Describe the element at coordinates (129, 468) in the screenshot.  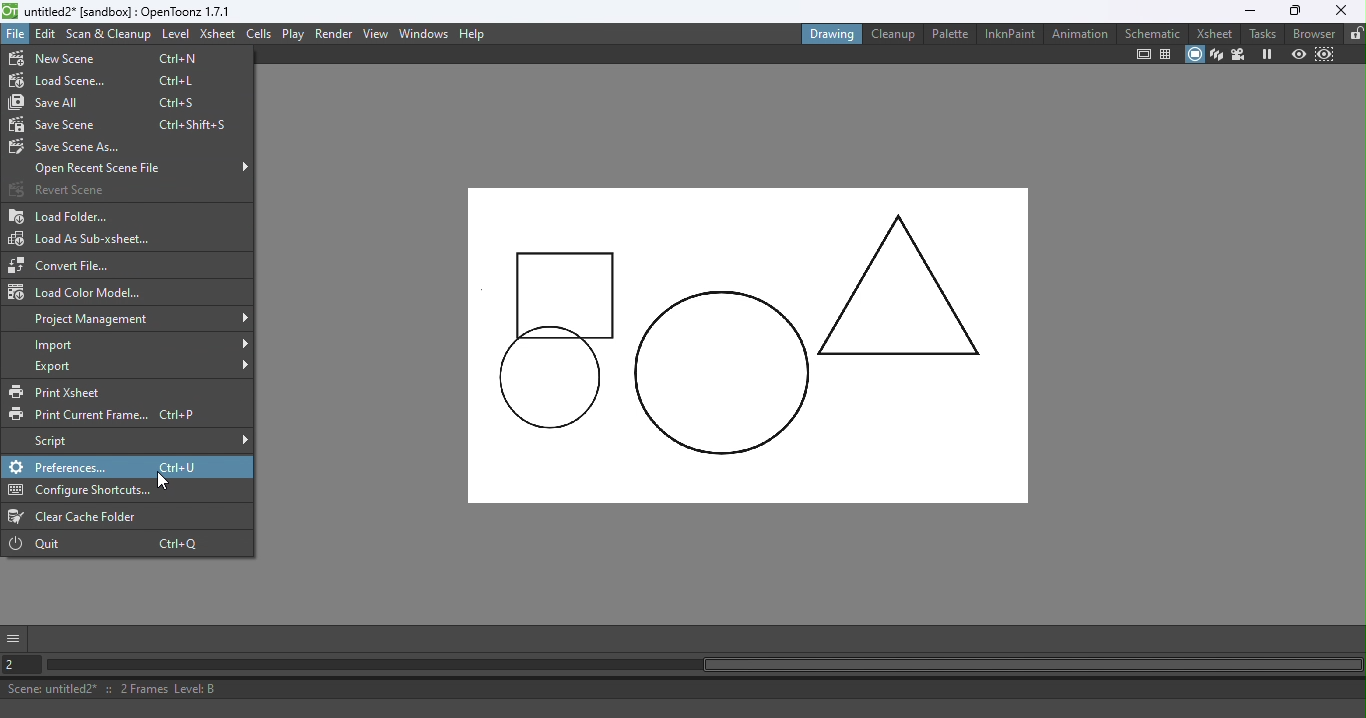
I see `Preferences` at that location.